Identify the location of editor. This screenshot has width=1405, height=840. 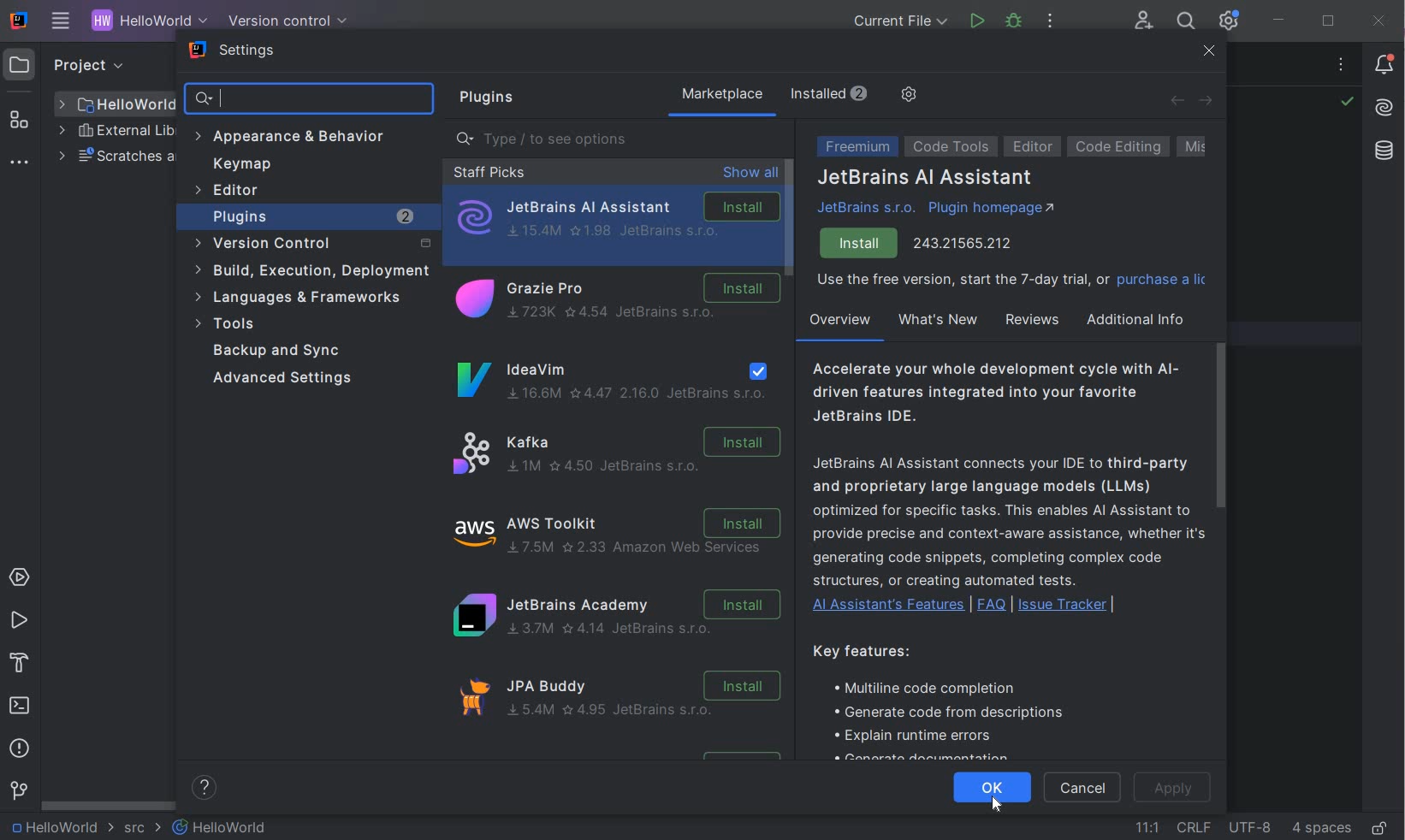
(230, 192).